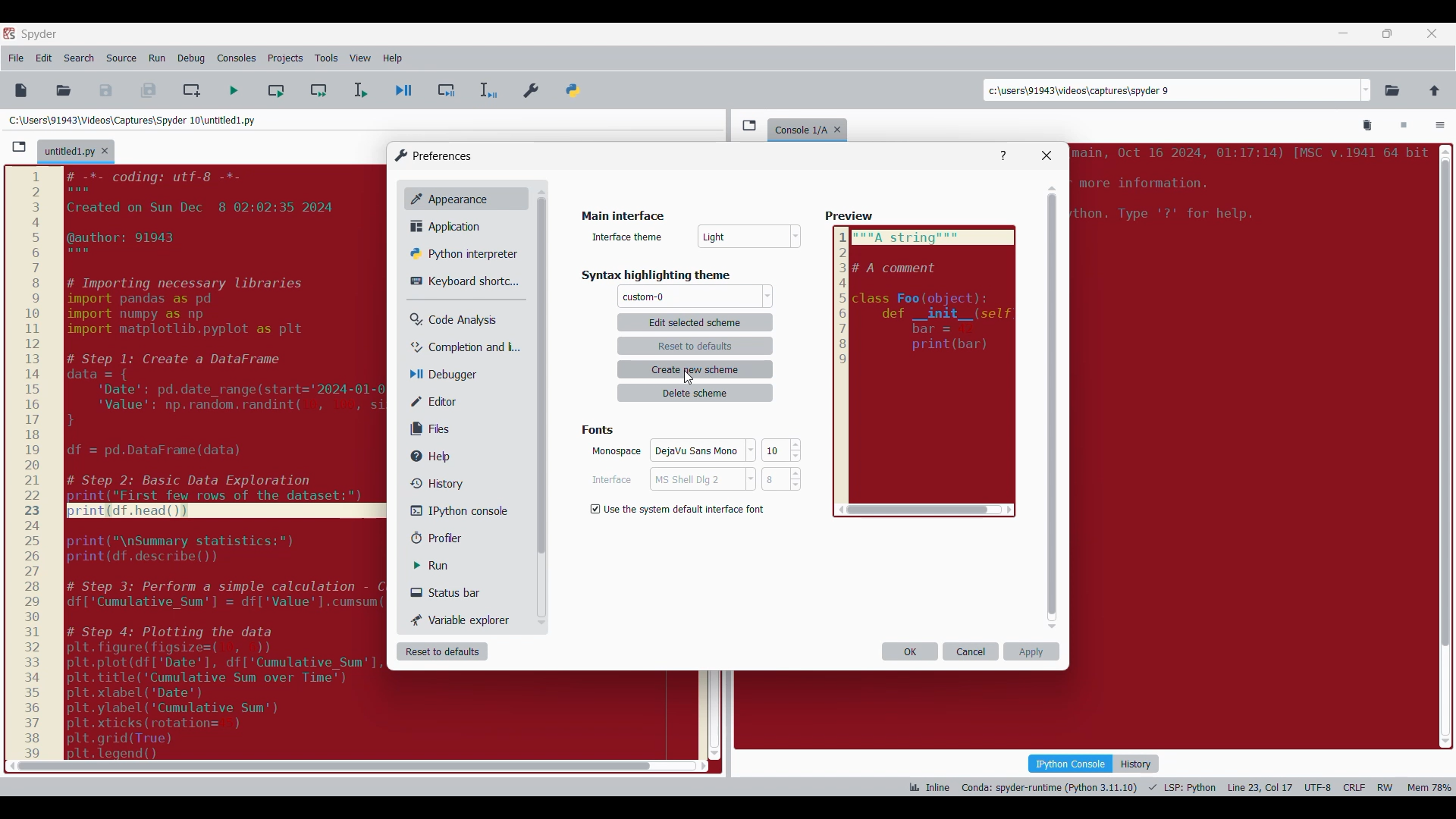 Image resolution: width=1456 pixels, height=819 pixels. What do you see at coordinates (466, 538) in the screenshot?
I see `Profiler` at bounding box center [466, 538].